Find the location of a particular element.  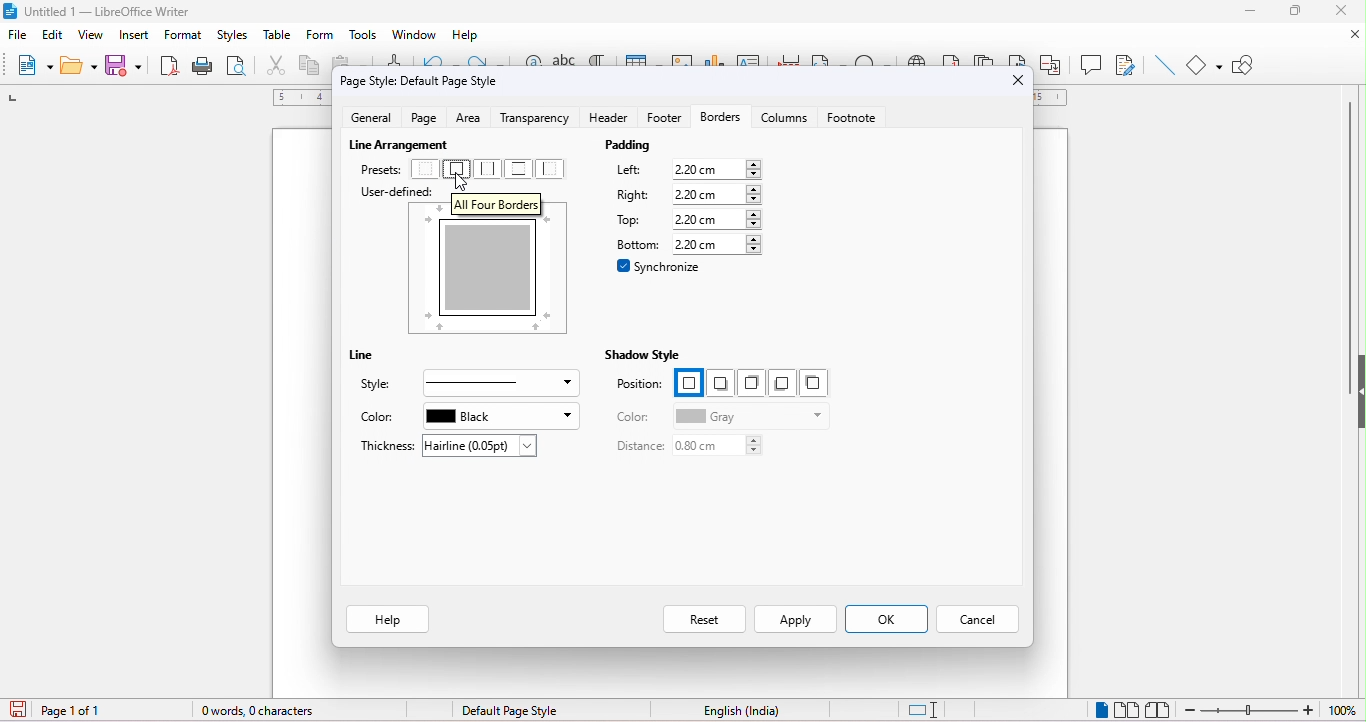

comment is located at coordinates (1092, 64).